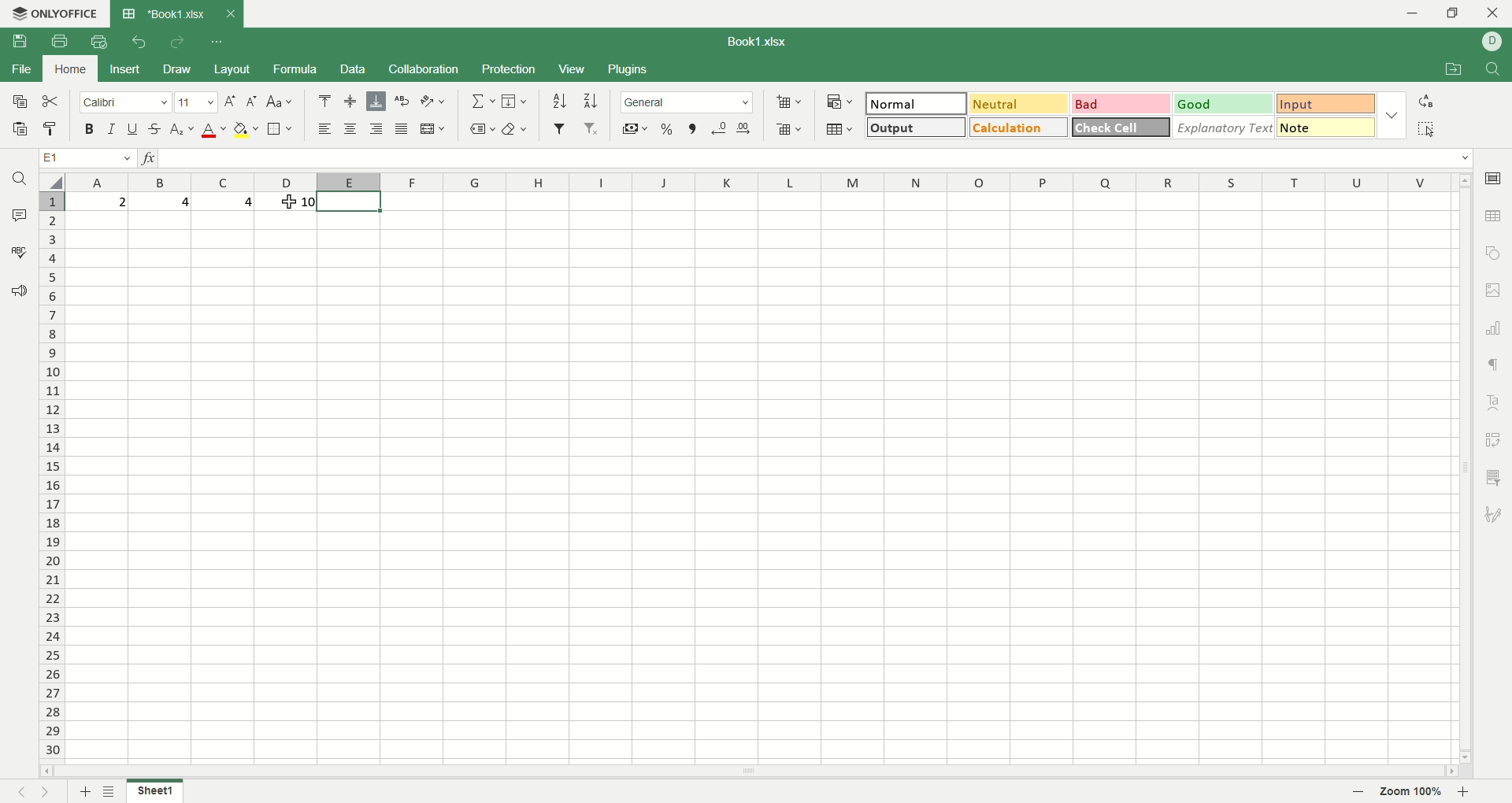  What do you see at coordinates (1121, 104) in the screenshot?
I see `bad` at bounding box center [1121, 104].